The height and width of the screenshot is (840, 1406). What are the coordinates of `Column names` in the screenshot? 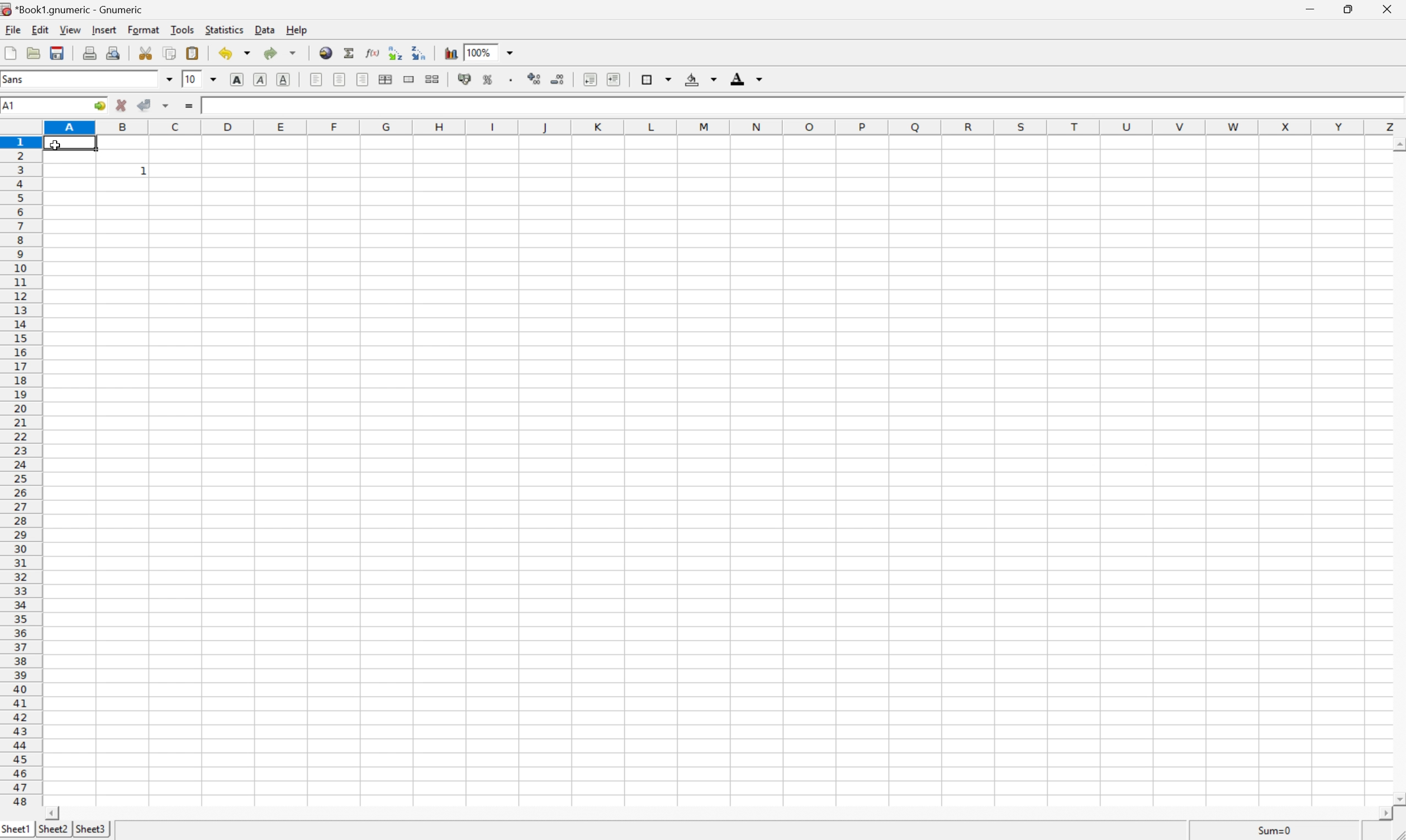 It's located at (725, 130).